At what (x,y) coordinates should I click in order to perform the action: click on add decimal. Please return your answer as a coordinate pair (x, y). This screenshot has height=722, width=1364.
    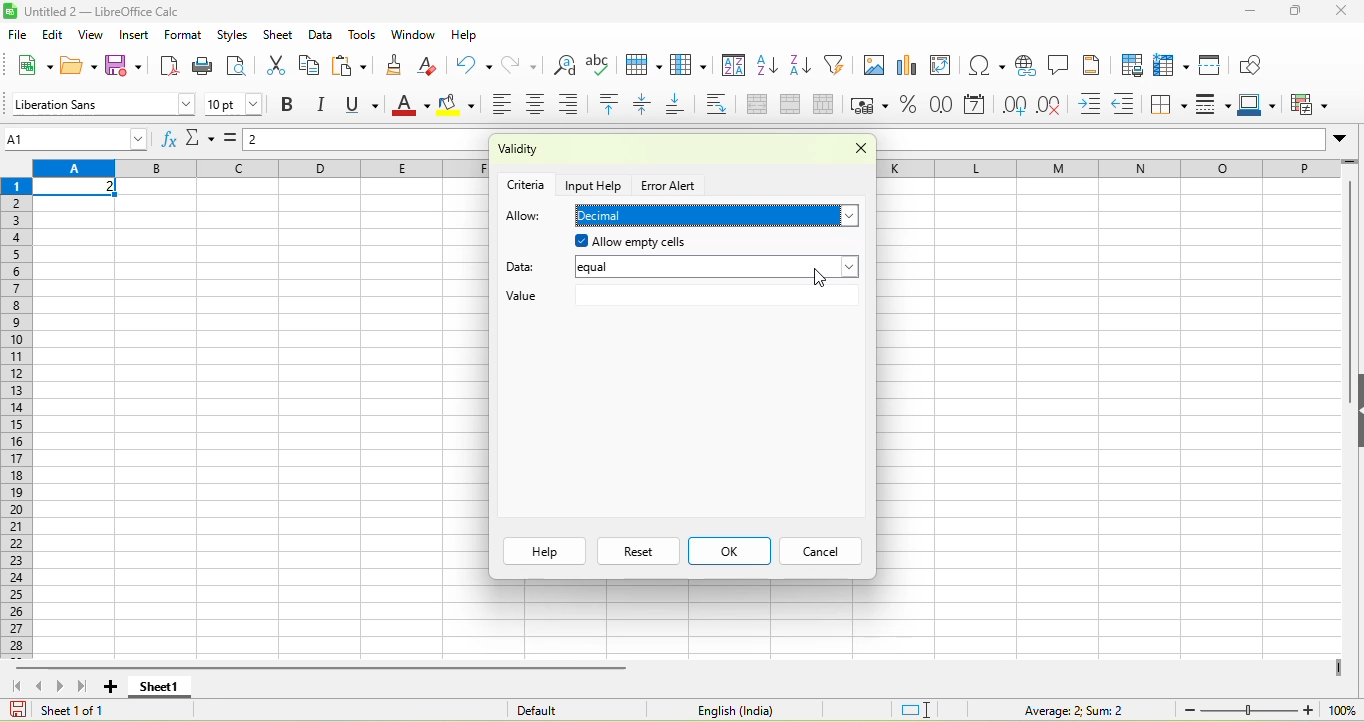
    Looking at the image, I should click on (1015, 105).